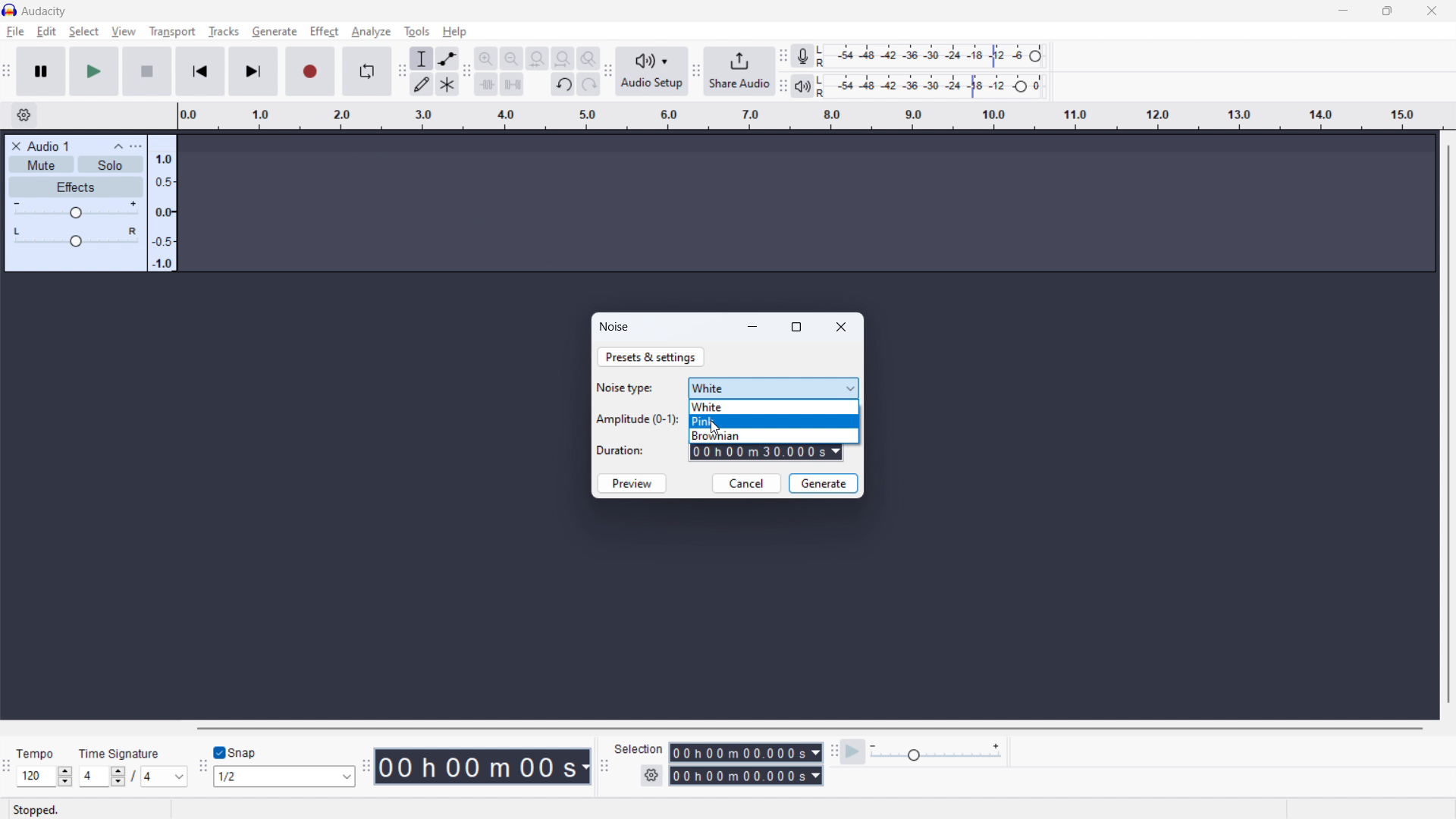  What do you see at coordinates (563, 58) in the screenshot?
I see `fit project to width` at bounding box center [563, 58].